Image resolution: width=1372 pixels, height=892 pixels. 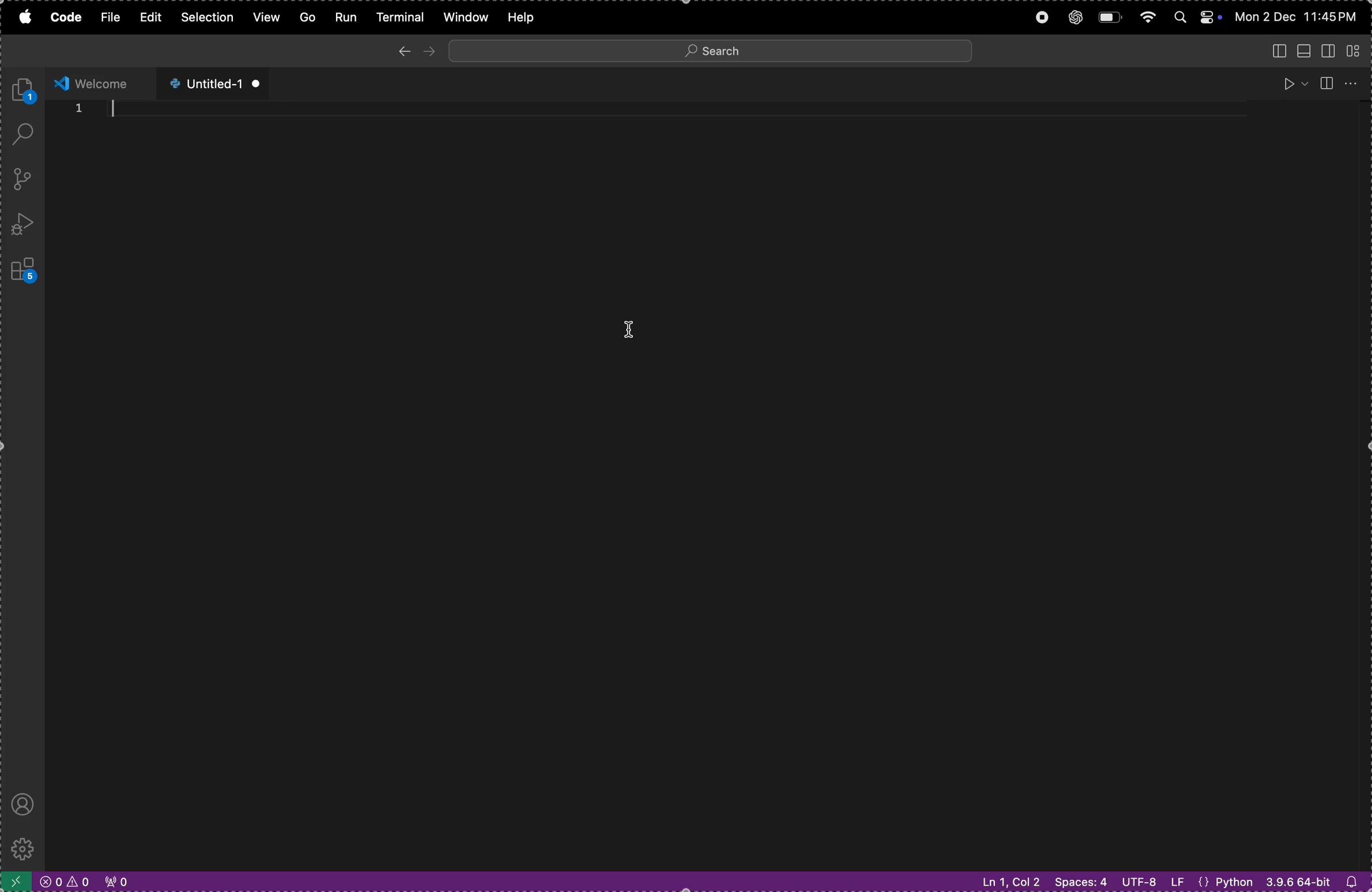 What do you see at coordinates (430, 50) in the screenshot?
I see `forward` at bounding box center [430, 50].